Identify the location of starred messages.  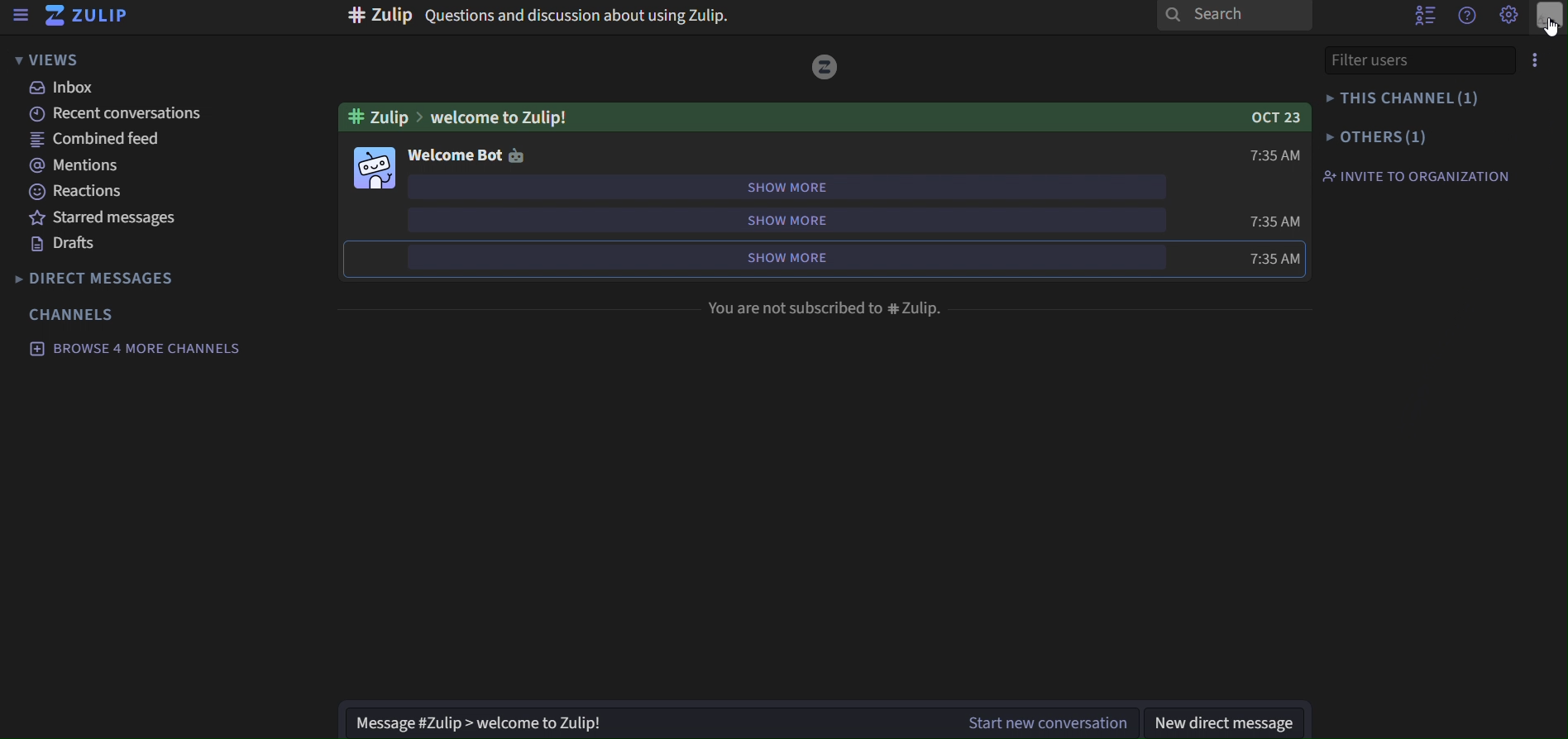
(118, 216).